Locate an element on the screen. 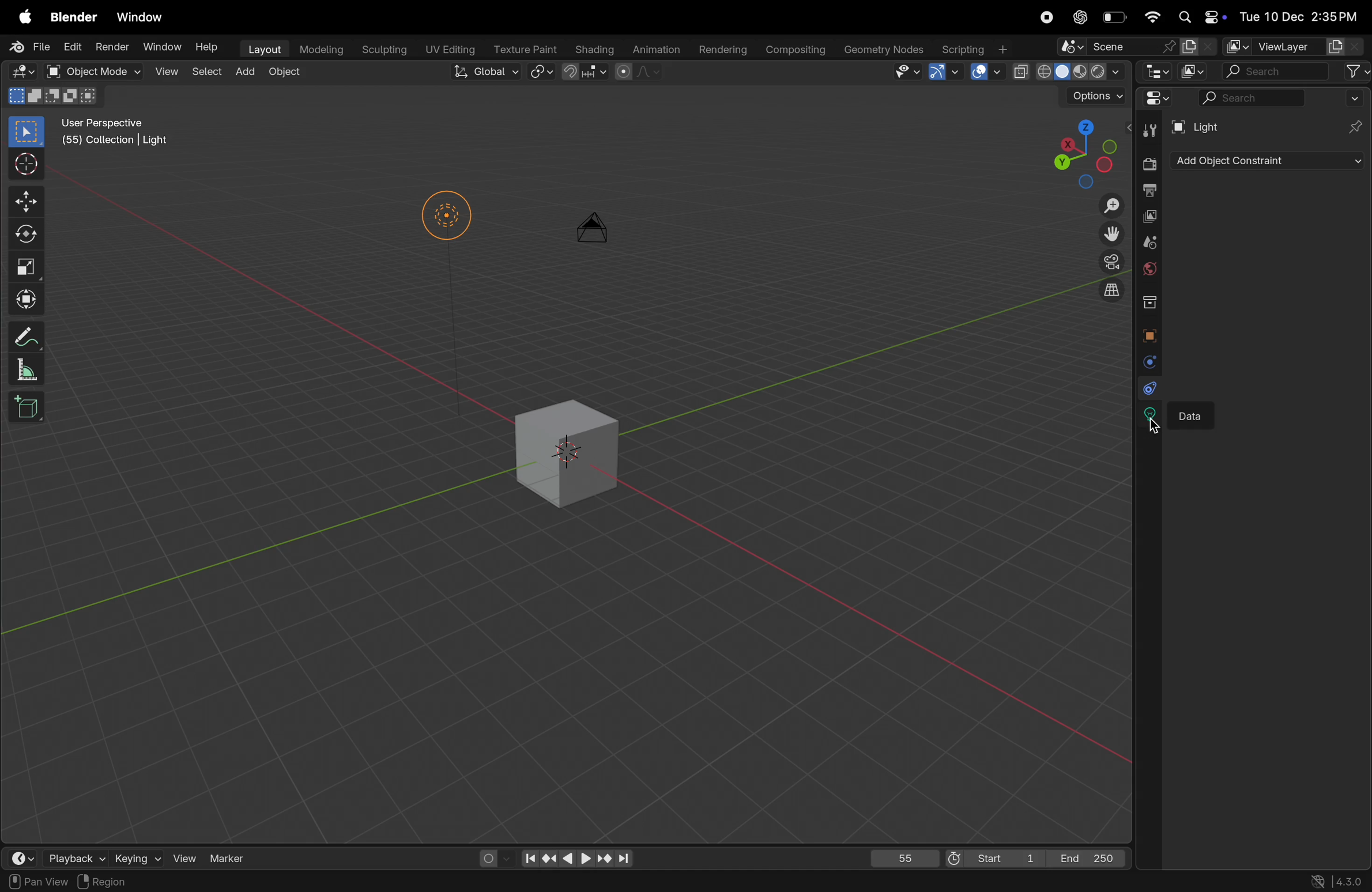  editor type is located at coordinates (1155, 71).